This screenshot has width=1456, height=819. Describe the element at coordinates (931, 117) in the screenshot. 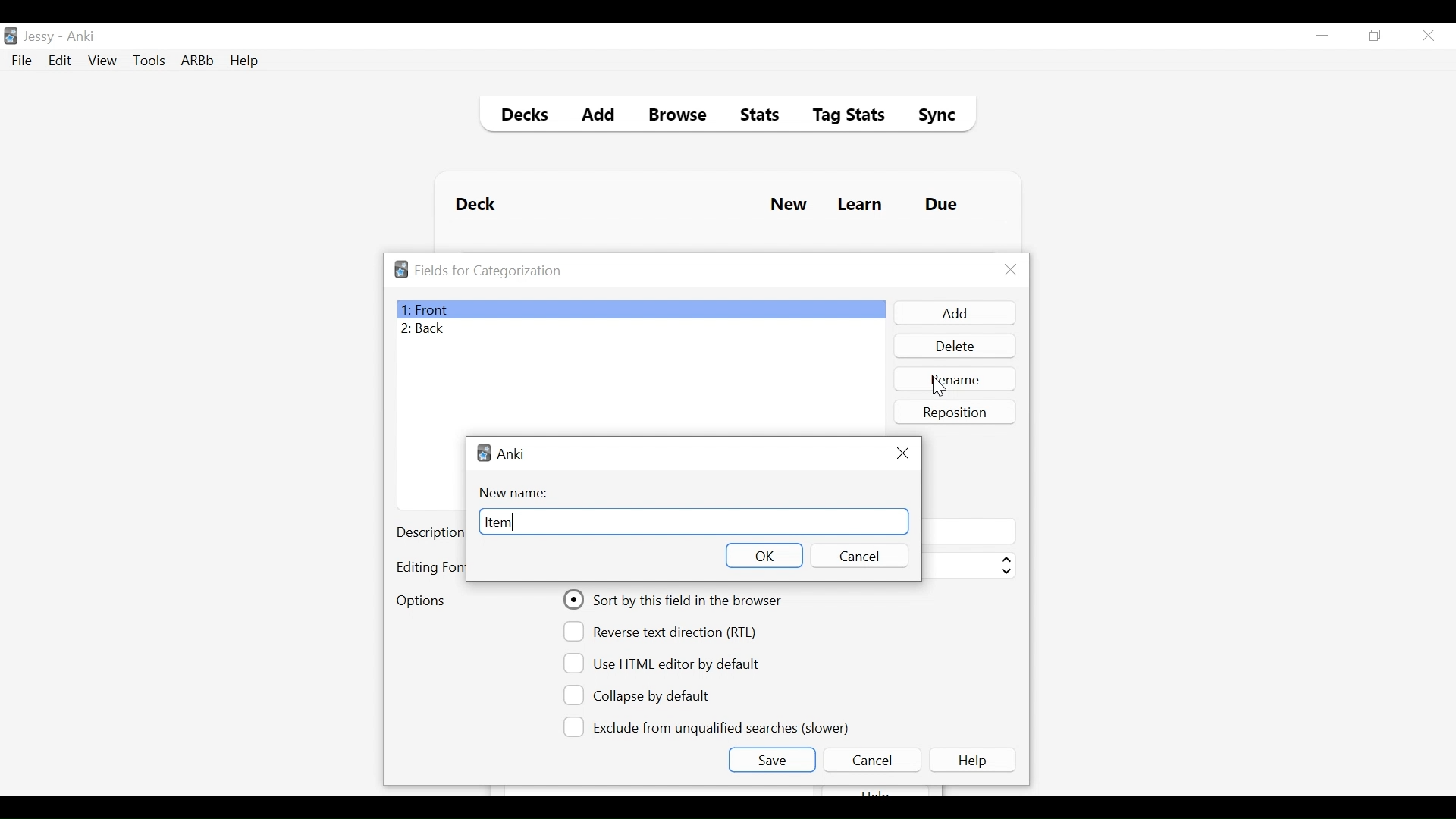

I see `Sybc` at that location.